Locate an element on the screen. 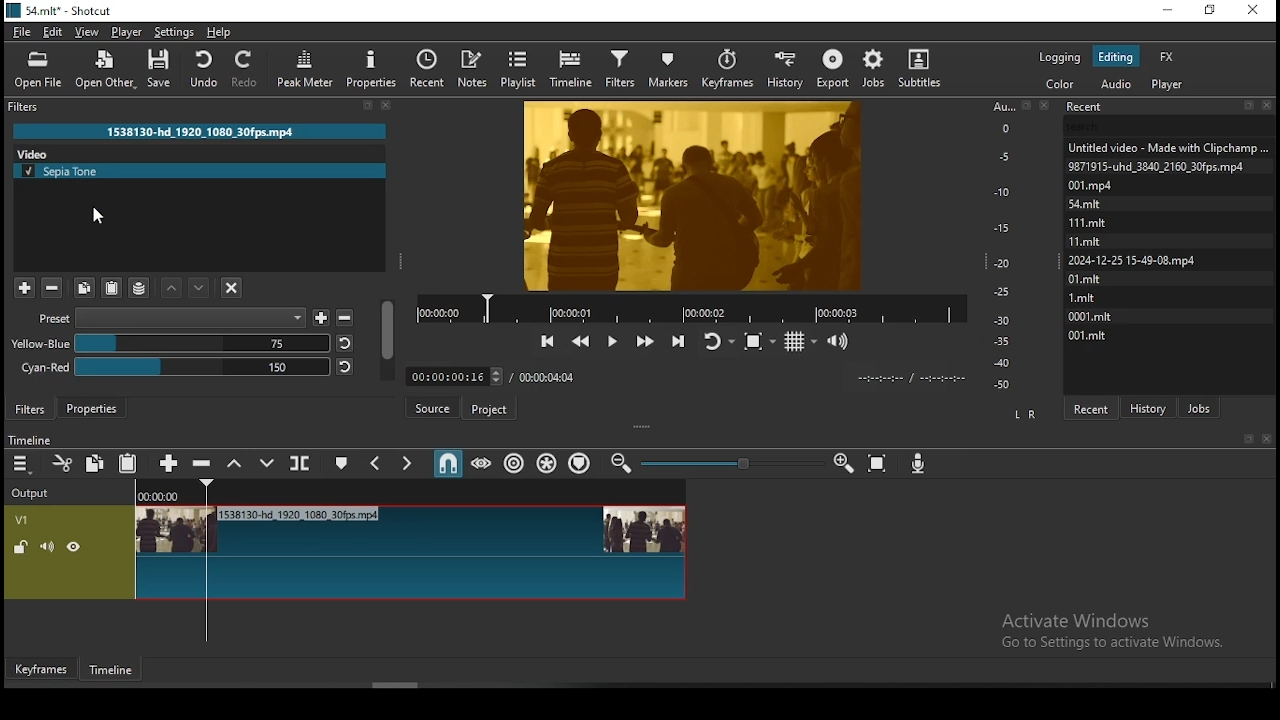 This screenshot has height=720, width=1280. redo is located at coordinates (248, 69).